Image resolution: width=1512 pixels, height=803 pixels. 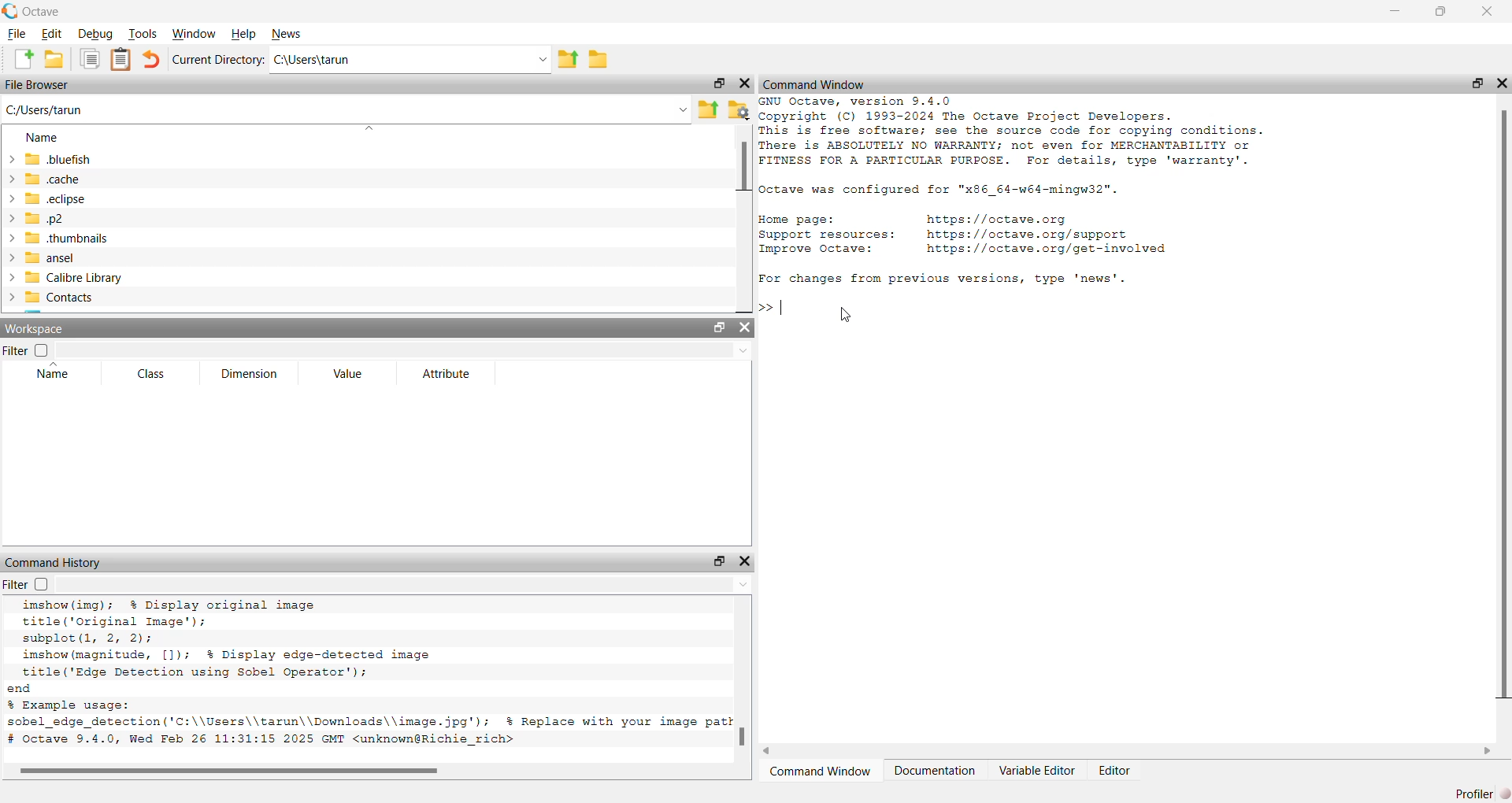 What do you see at coordinates (143, 34) in the screenshot?
I see `Tools` at bounding box center [143, 34].